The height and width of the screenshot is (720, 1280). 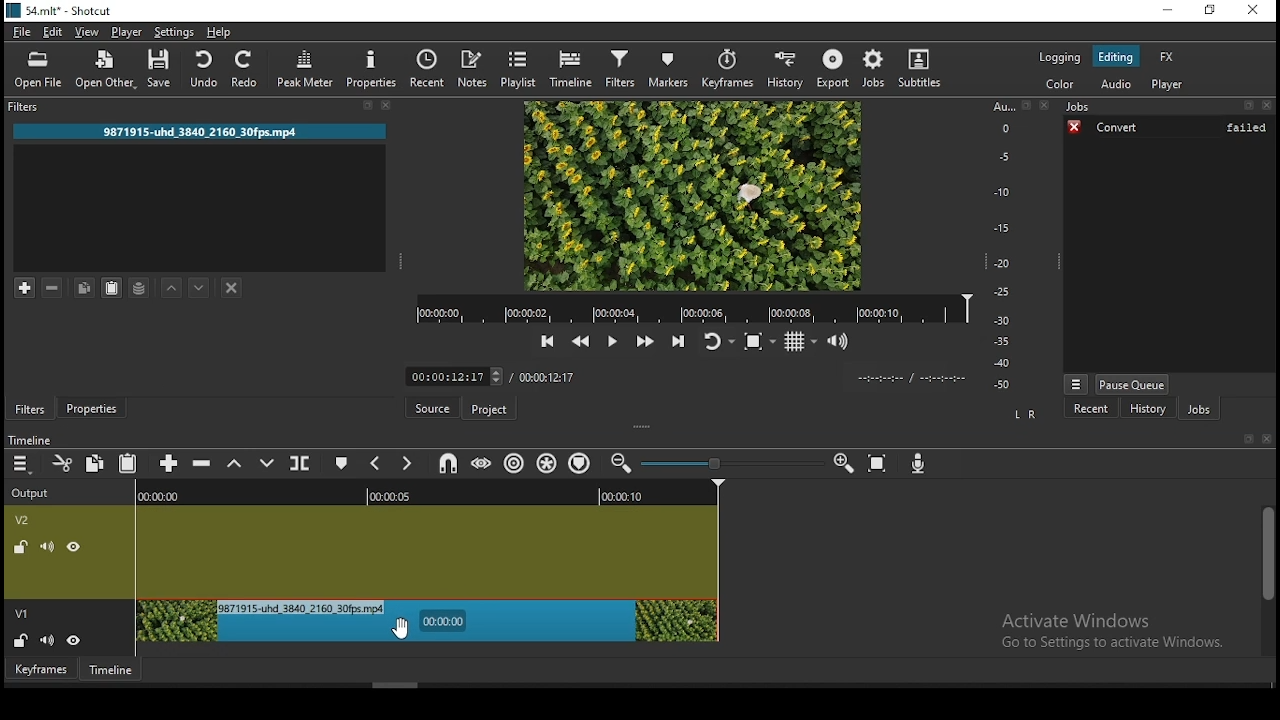 What do you see at coordinates (95, 462) in the screenshot?
I see `copy` at bounding box center [95, 462].